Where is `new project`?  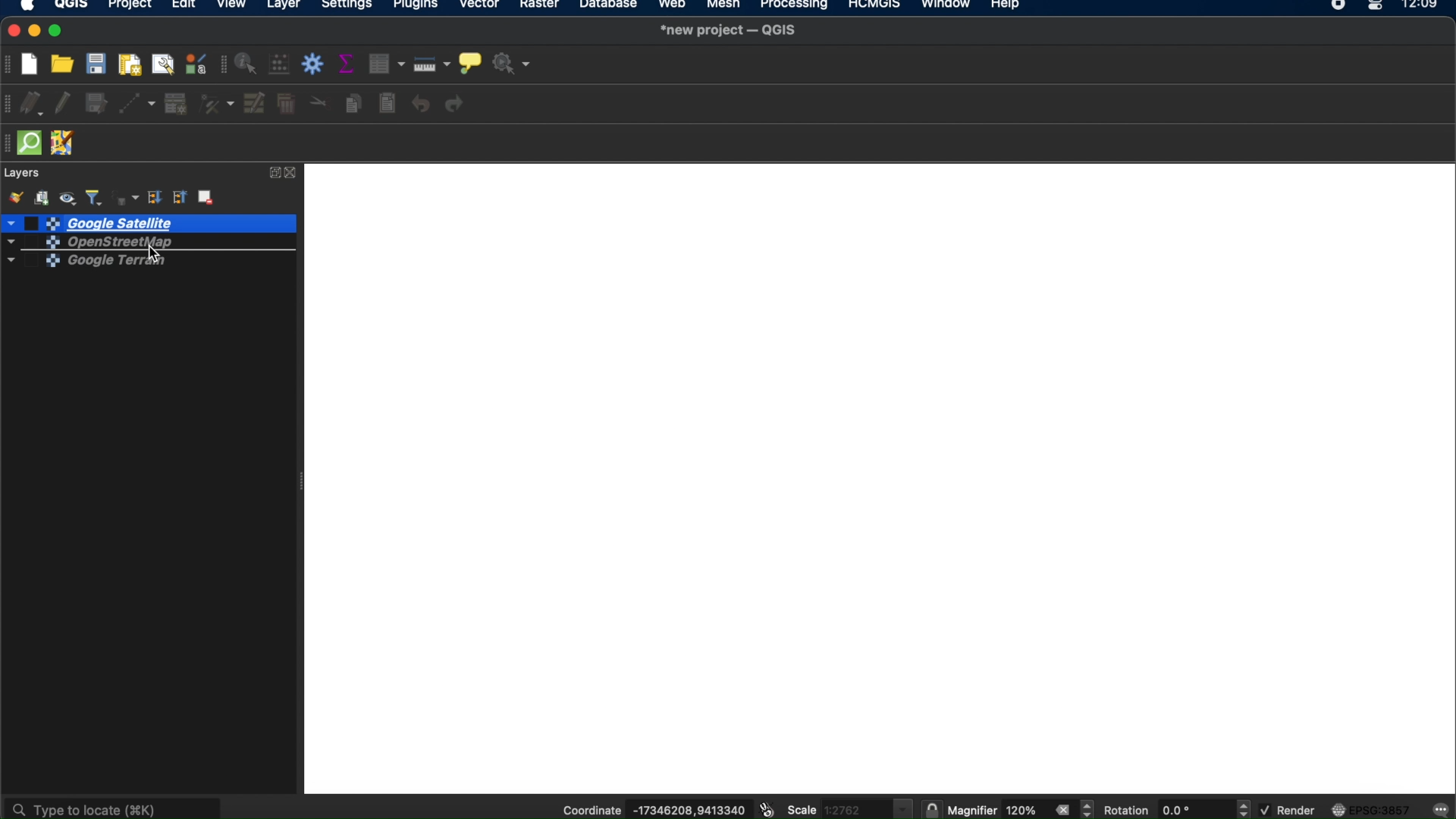
new project is located at coordinates (34, 62).